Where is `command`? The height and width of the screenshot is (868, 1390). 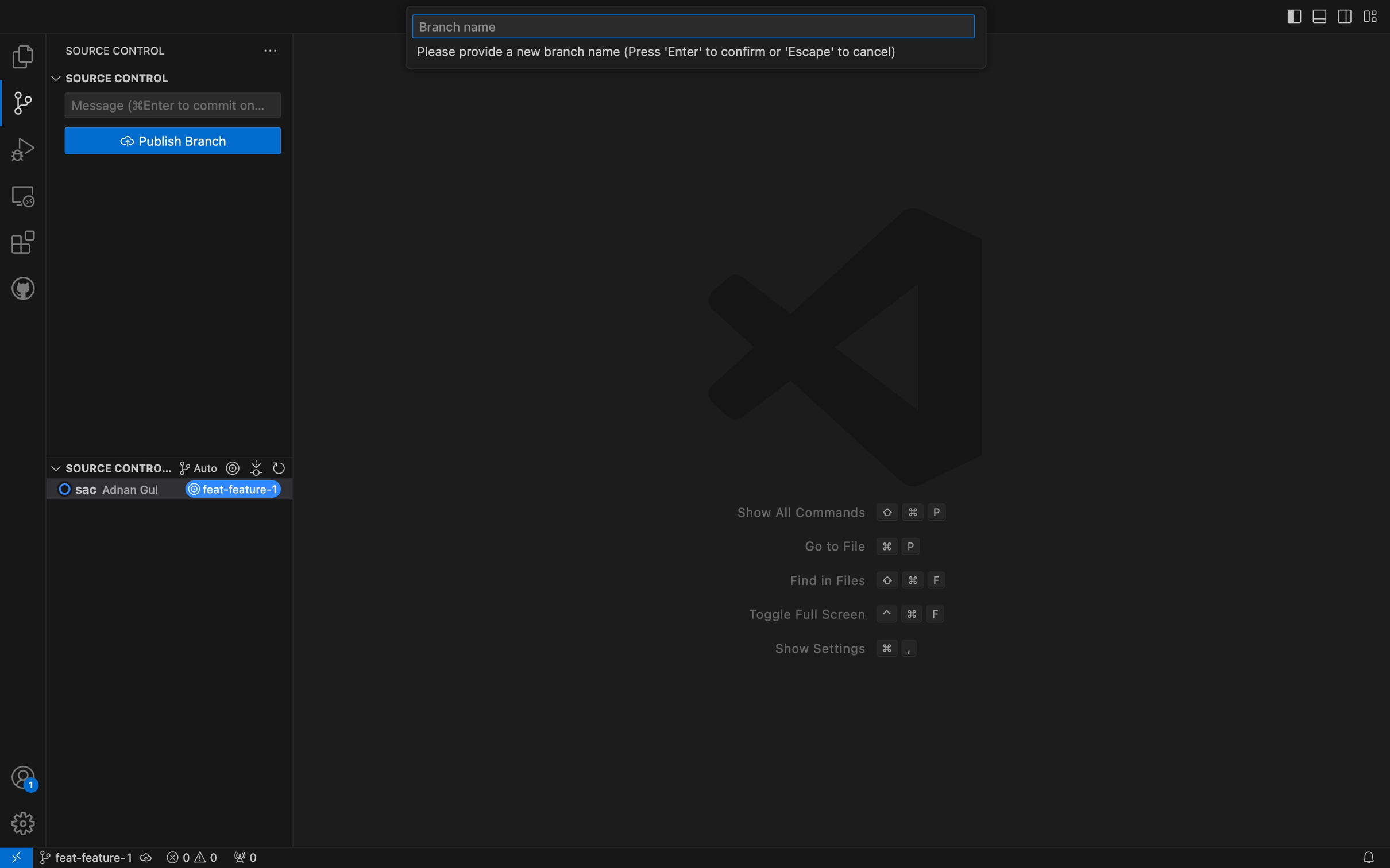
command is located at coordinates (887, 547).